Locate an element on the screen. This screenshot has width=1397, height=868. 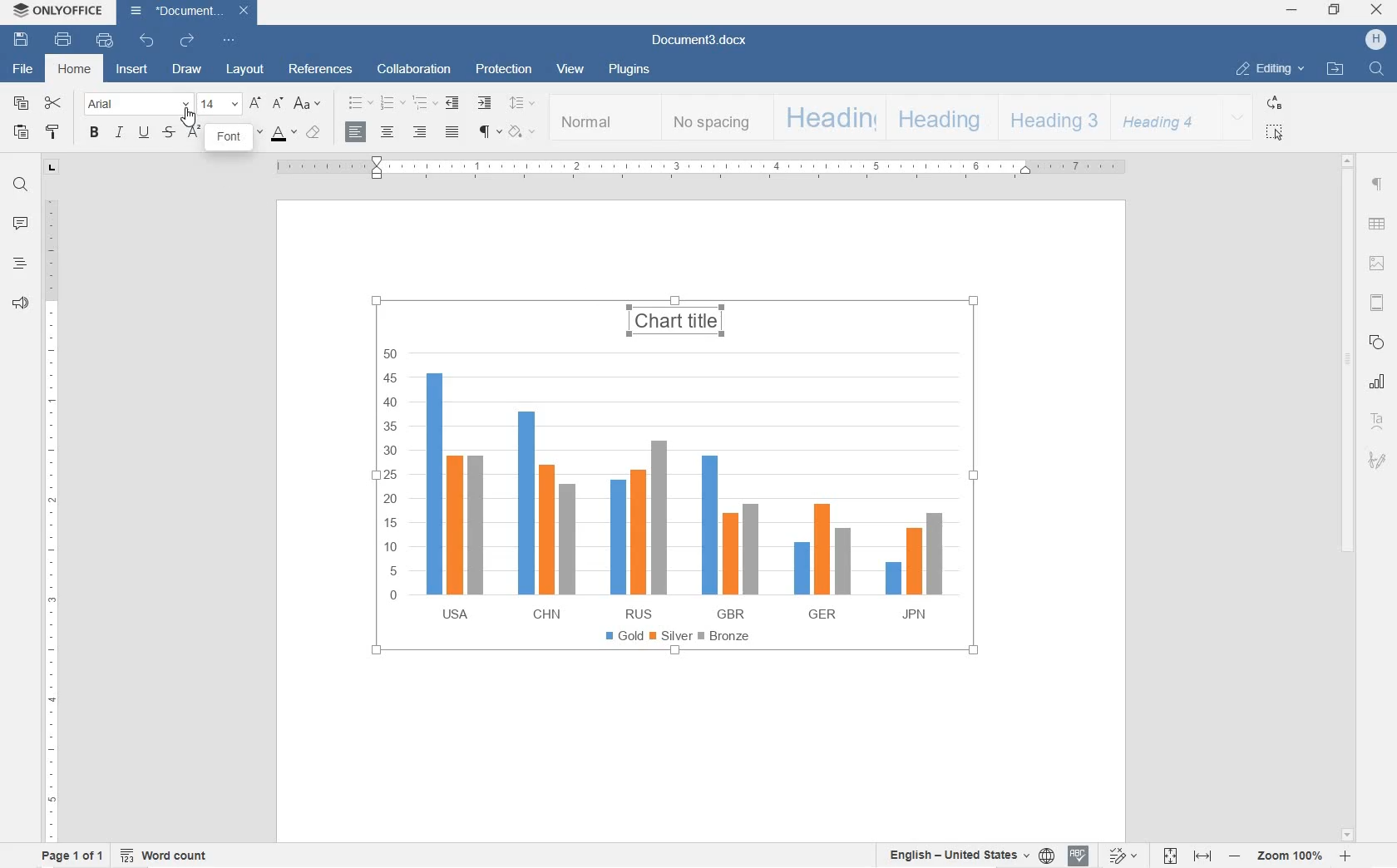
COLLABORATION is located at coordinates (412, 70).